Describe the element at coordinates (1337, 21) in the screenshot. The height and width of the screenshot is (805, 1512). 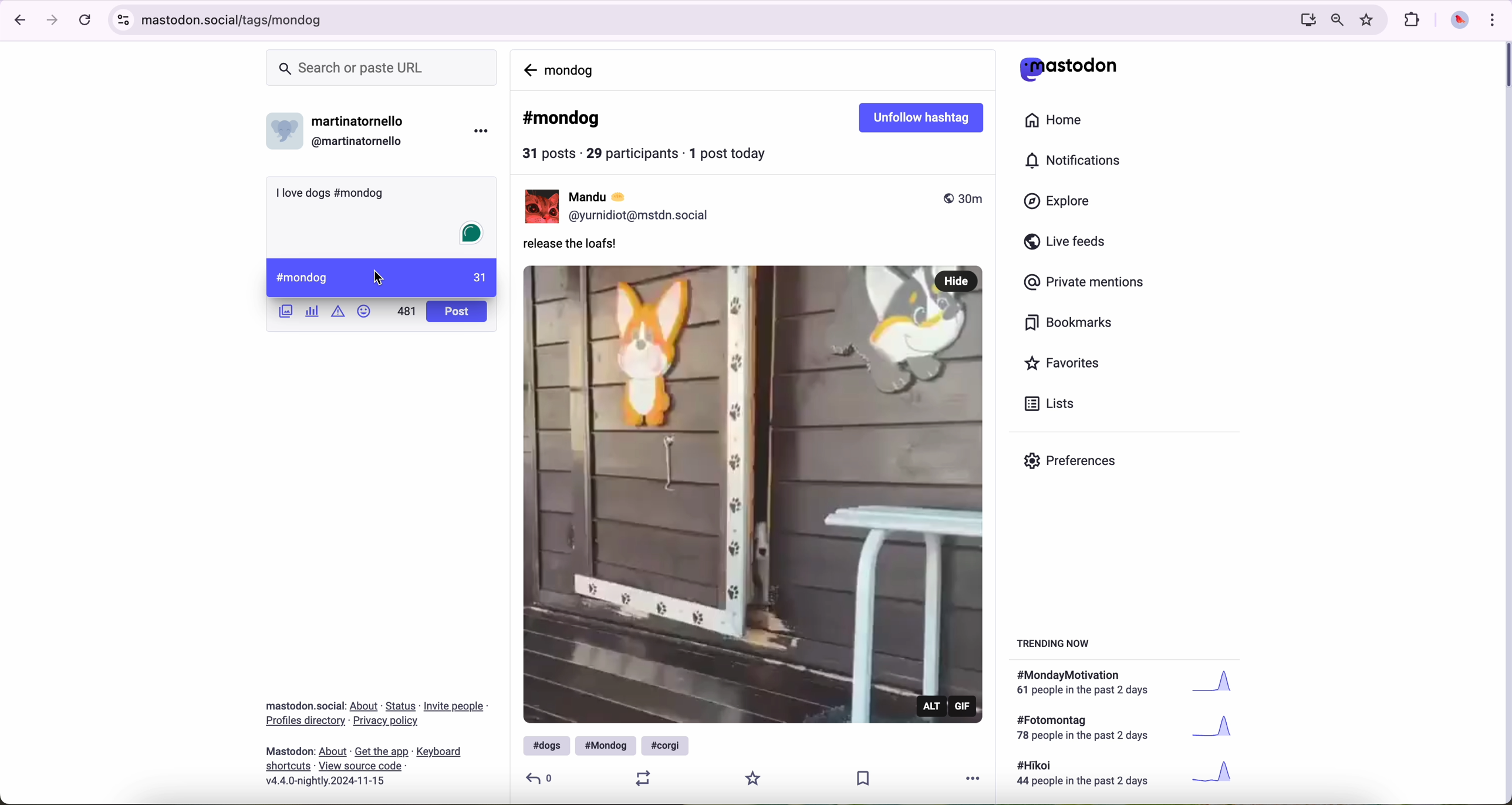
I see `zoom` at that location.